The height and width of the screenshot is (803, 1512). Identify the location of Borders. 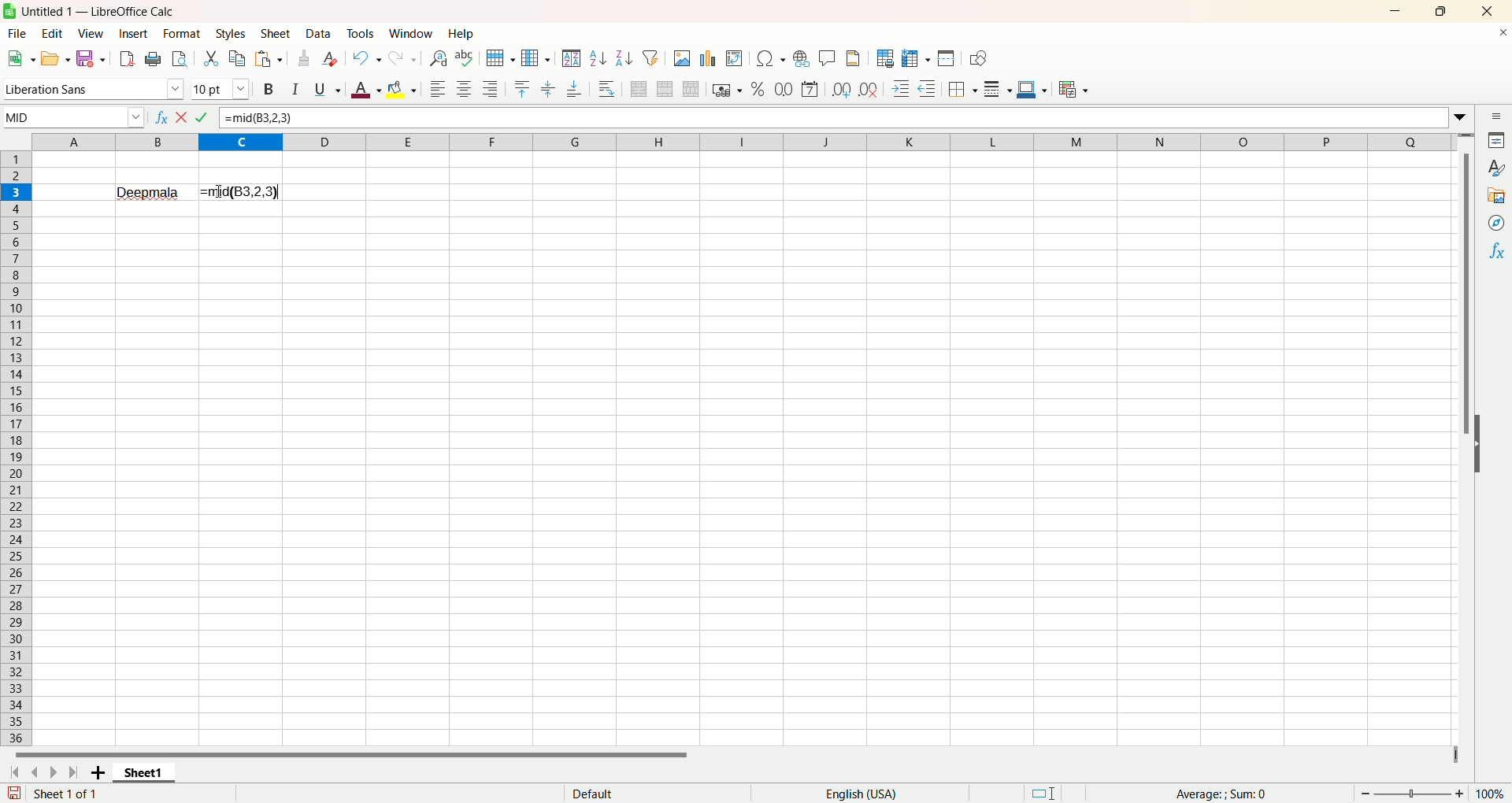
(962, 90).